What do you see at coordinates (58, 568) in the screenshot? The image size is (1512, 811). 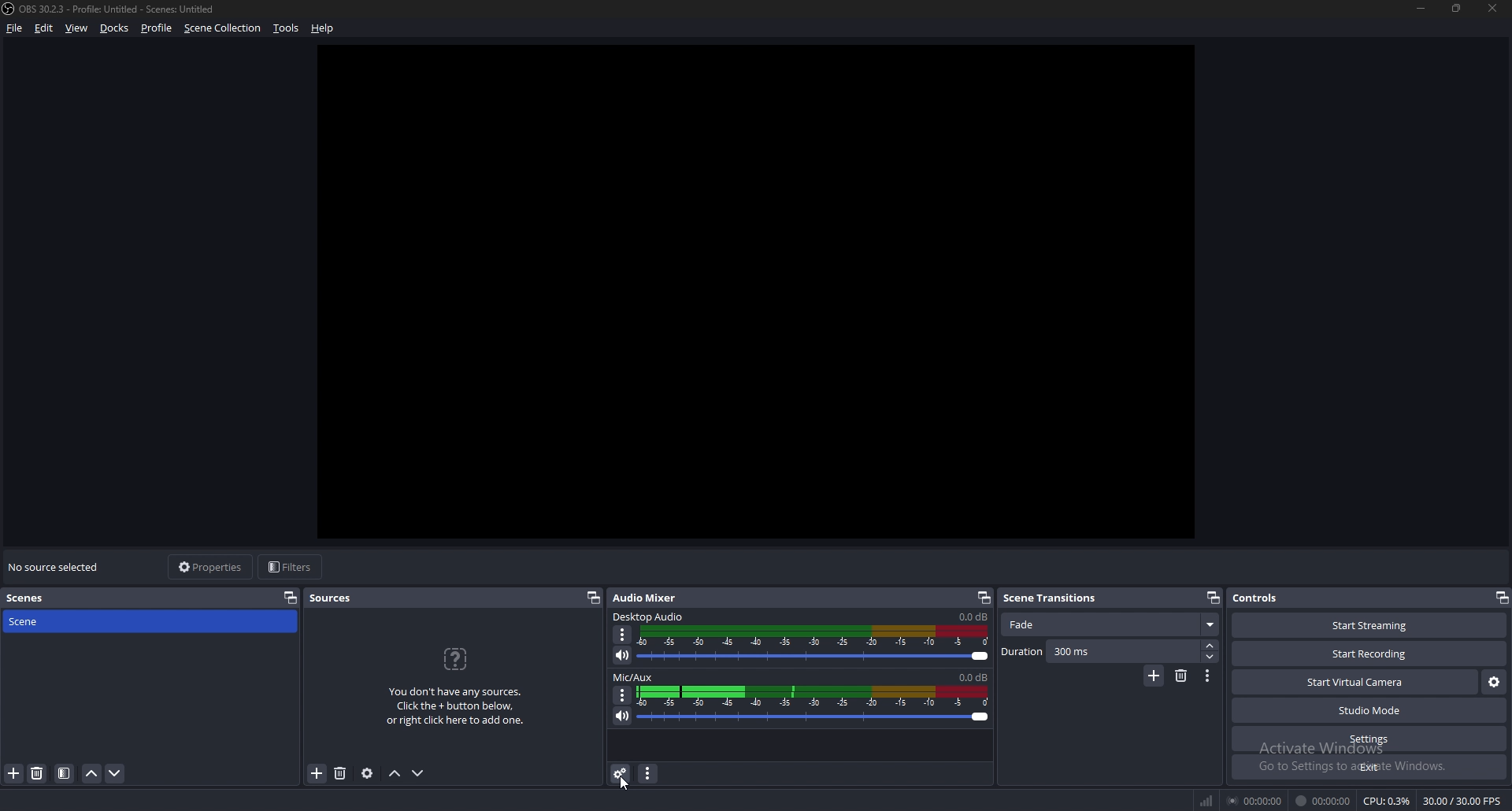 I see `no souce selected` at bounding box center [58, 568].